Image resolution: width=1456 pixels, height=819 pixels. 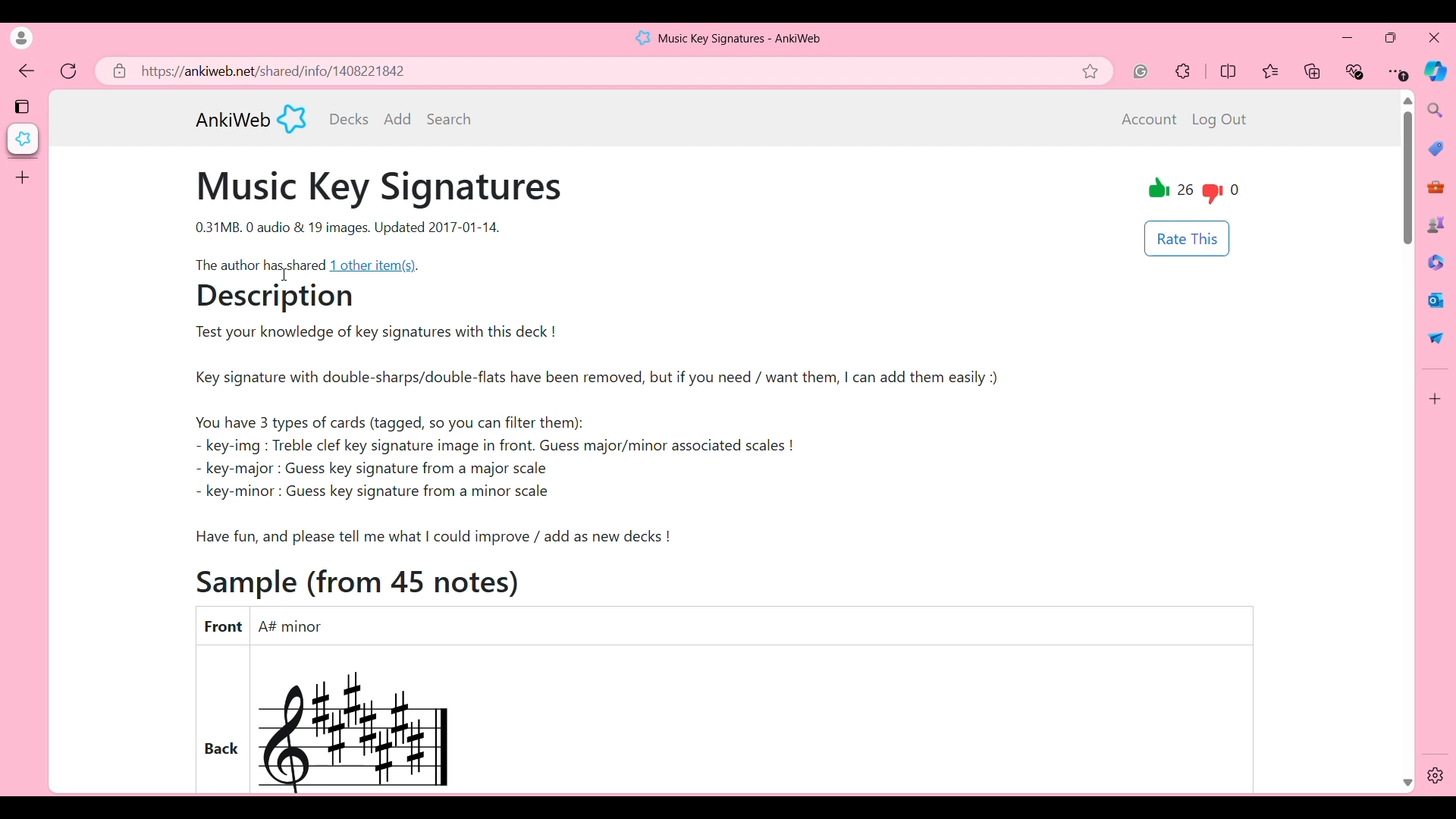 What do you see at coordinates (1228, 71) in the screenshot?
I see `Split screen` at bounding box center [1228, 71].